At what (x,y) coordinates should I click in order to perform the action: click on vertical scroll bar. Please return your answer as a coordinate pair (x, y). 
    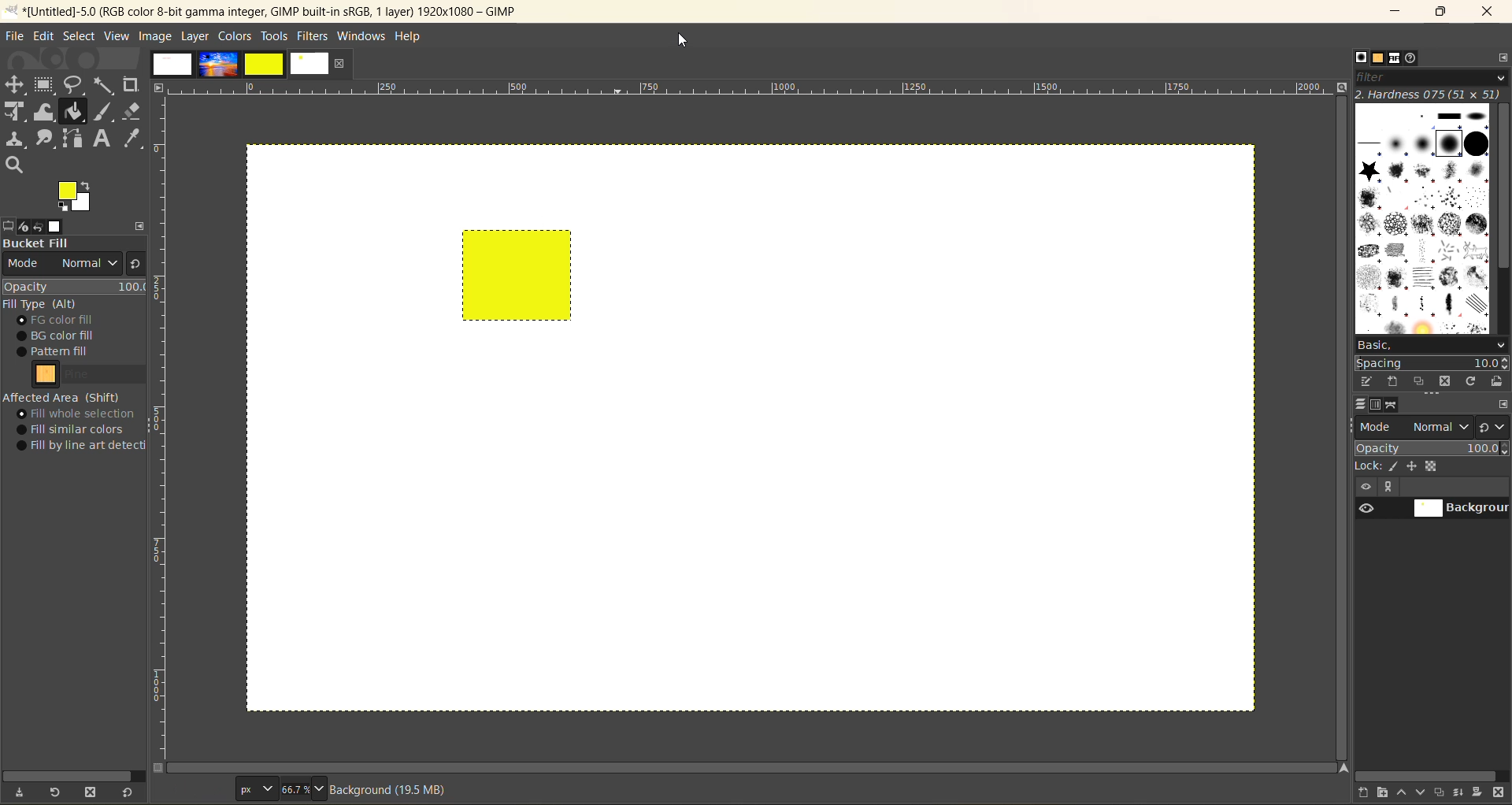
    Looking at the image, I should click on (1501, 188).